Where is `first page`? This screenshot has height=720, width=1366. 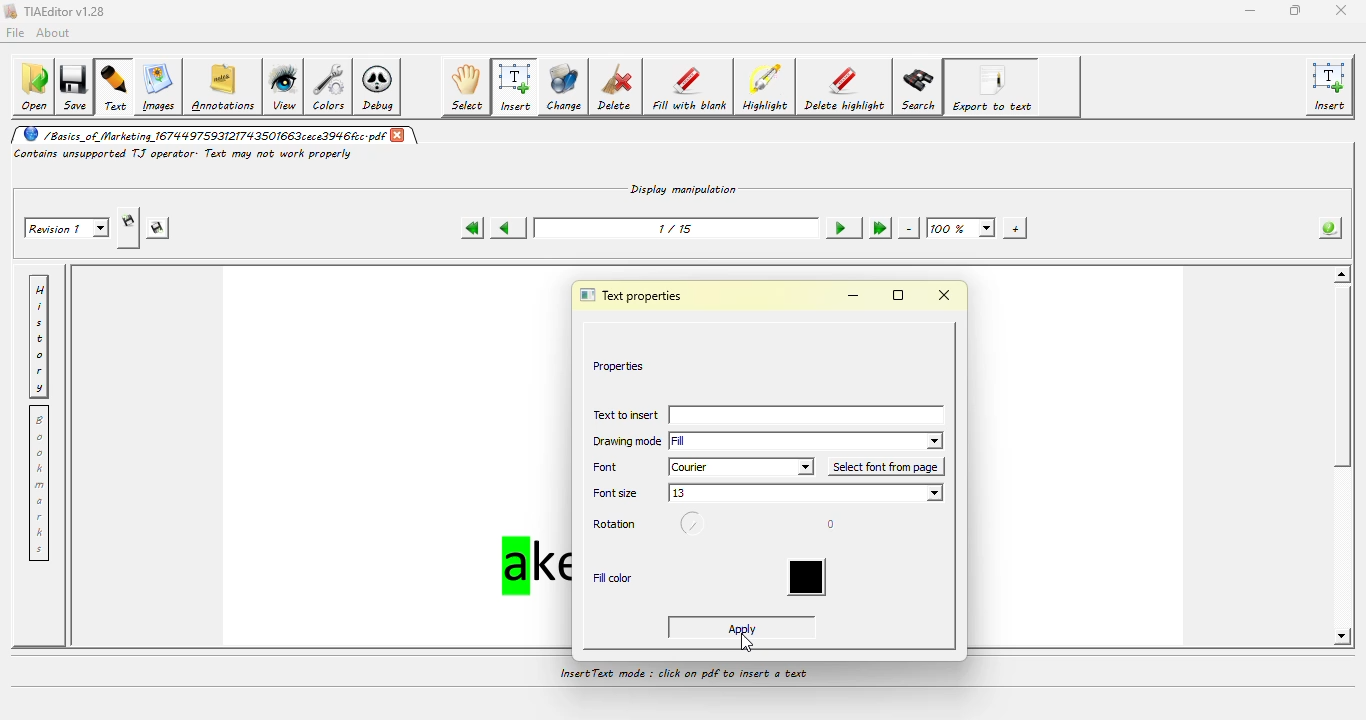 first page is located at coordinates (470, 228).